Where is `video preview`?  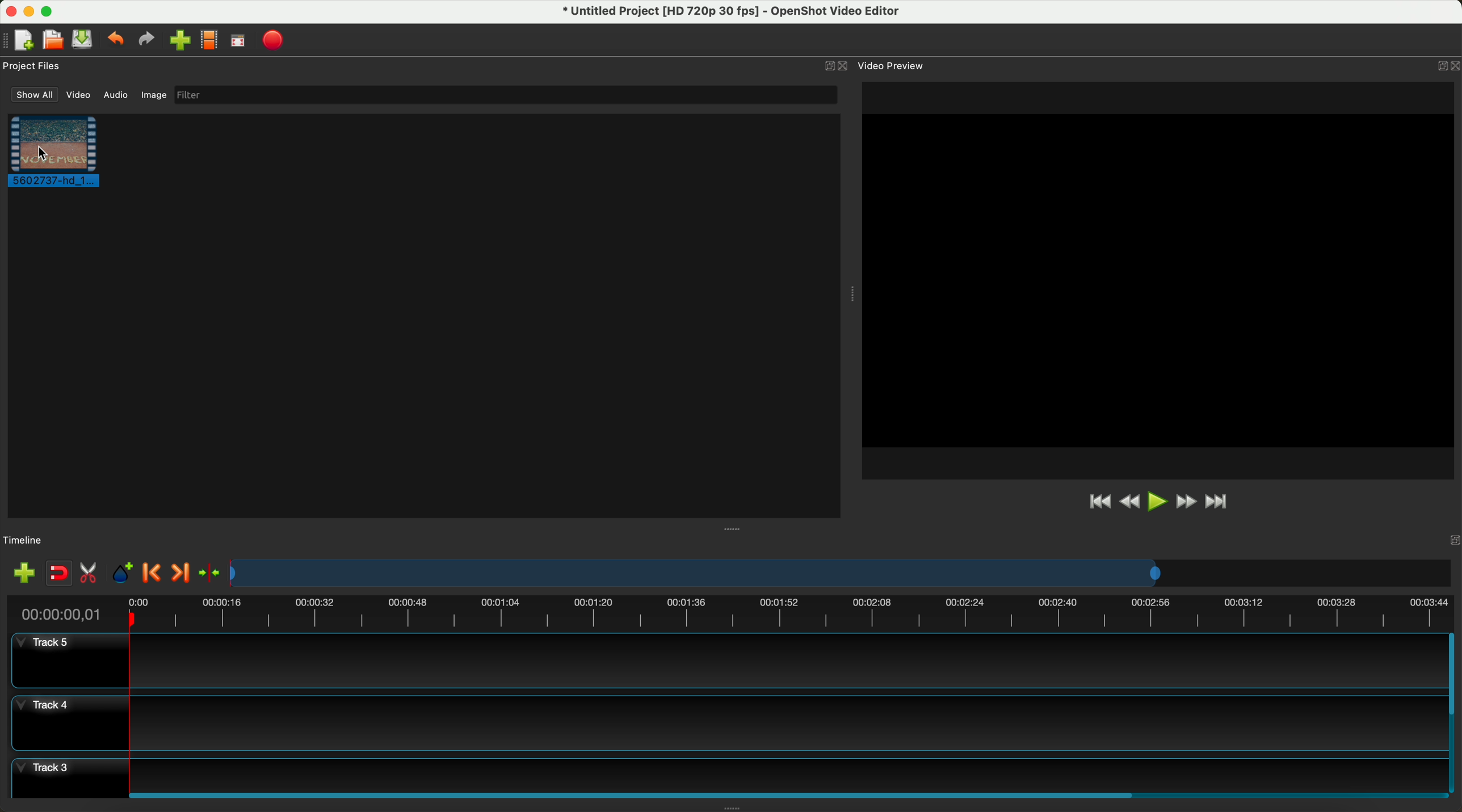 video preview is located at coordinates (892, 65).